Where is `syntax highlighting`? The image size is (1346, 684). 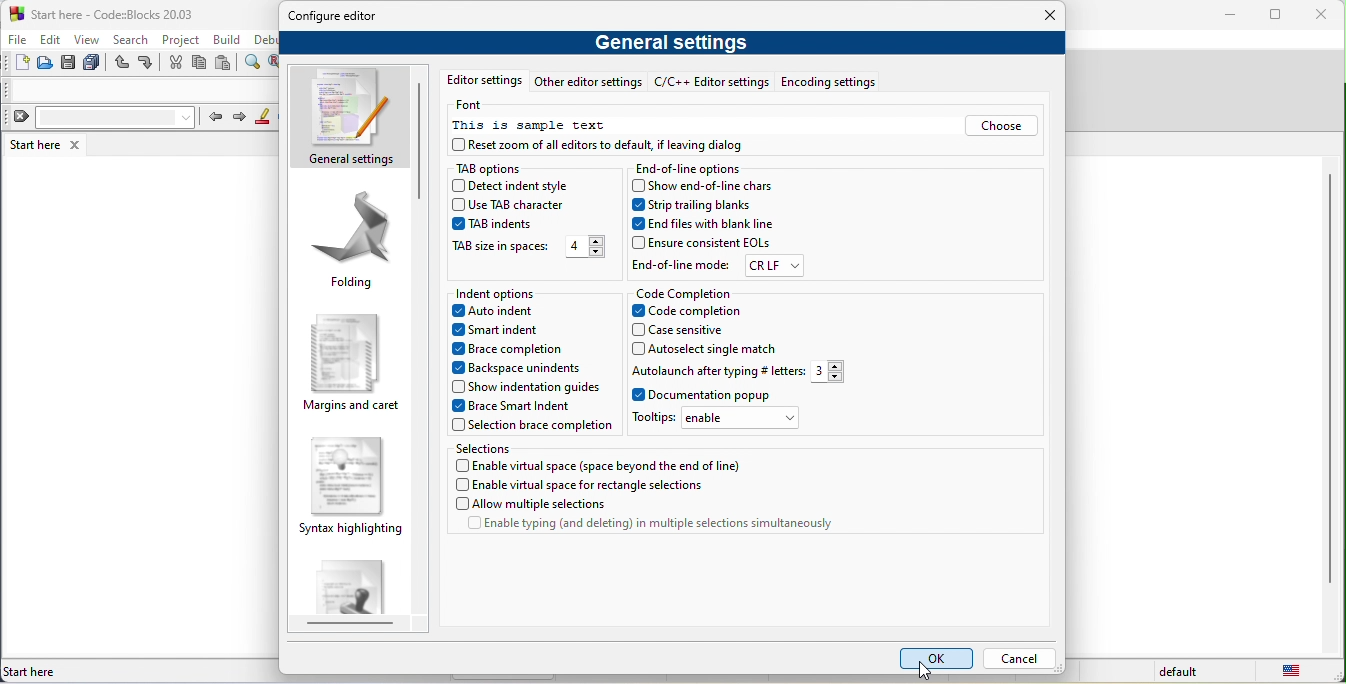 syntax highlighting is located at coordinates (348, 490).